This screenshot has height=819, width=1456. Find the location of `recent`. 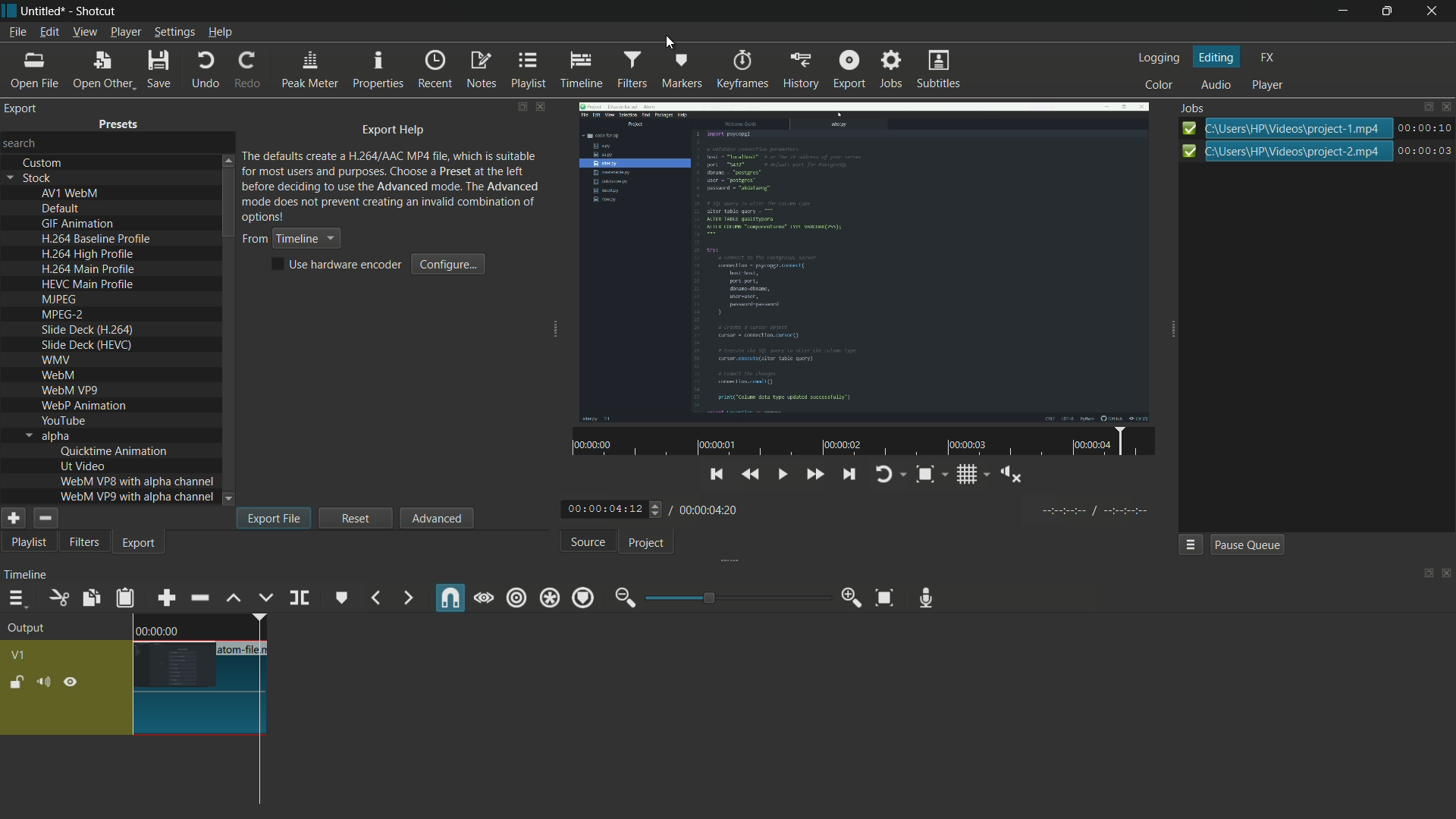

recent is located at coordinates (435, 71).